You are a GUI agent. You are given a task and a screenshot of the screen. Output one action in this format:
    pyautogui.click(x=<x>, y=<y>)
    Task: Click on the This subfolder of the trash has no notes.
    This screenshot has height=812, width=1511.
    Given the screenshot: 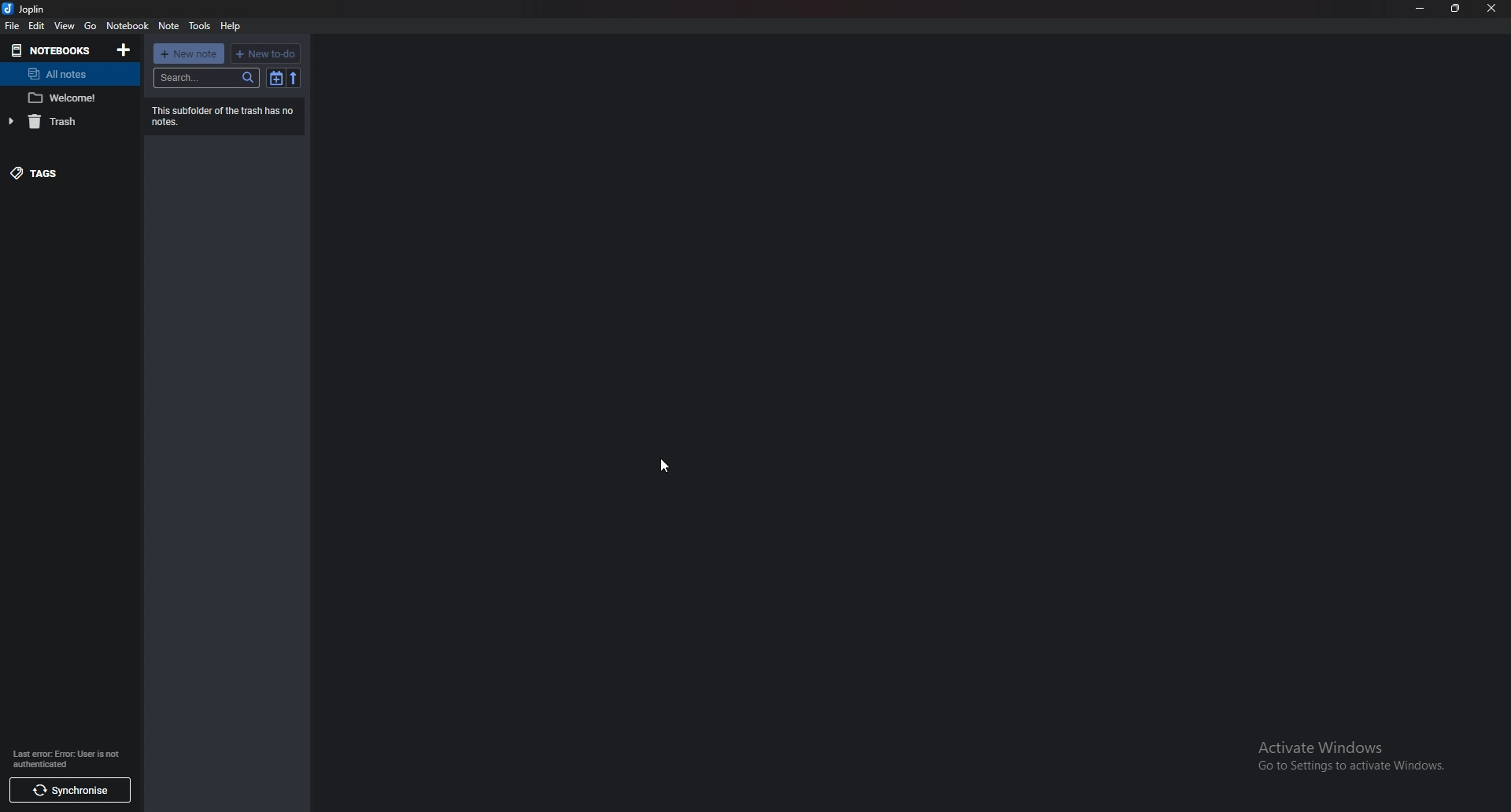 What is the action you would take?
    pyautogui.click(x=224, y=118)
    